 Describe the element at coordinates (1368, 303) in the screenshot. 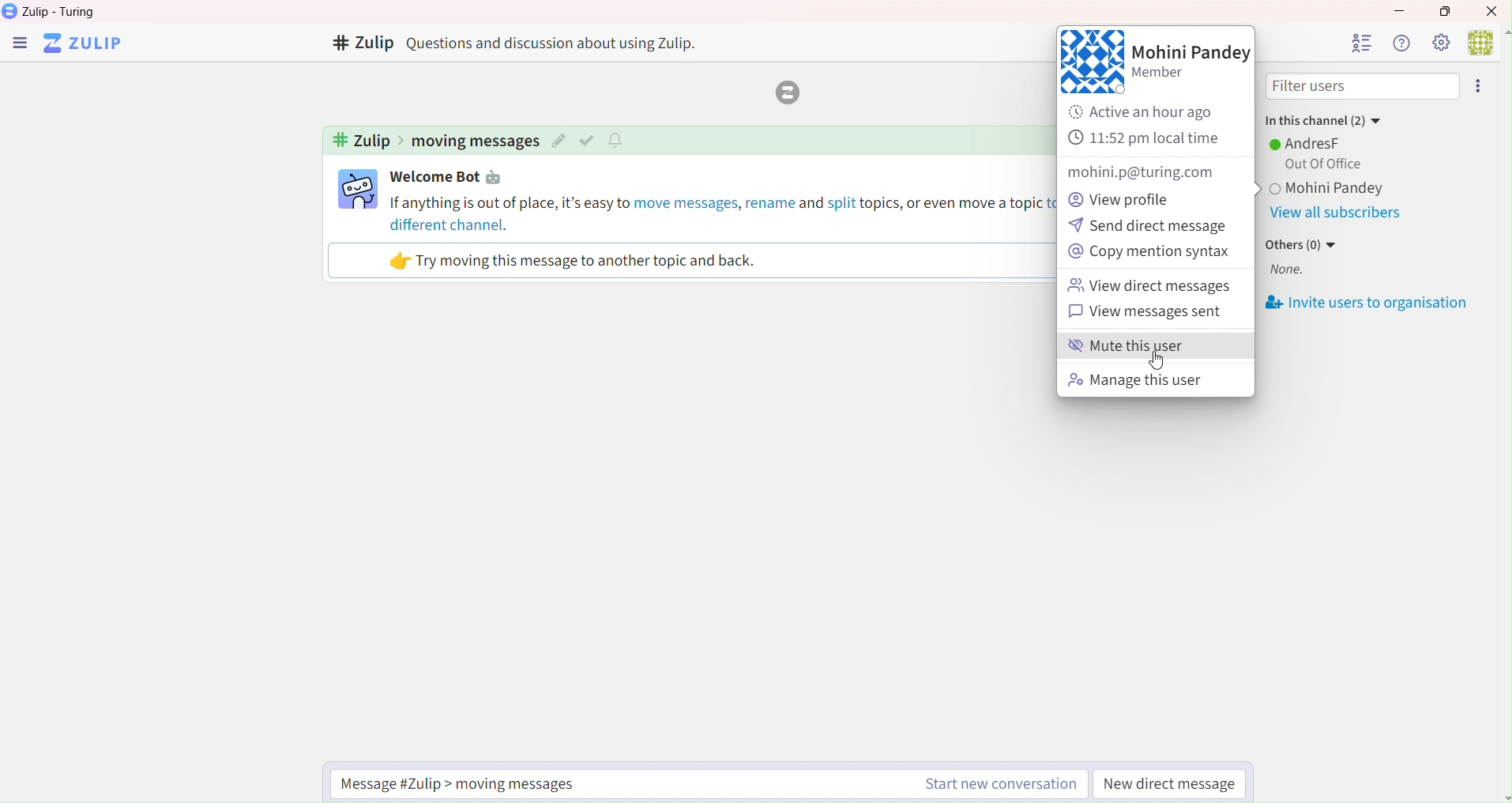

I see `Invite users to organization` at that location.